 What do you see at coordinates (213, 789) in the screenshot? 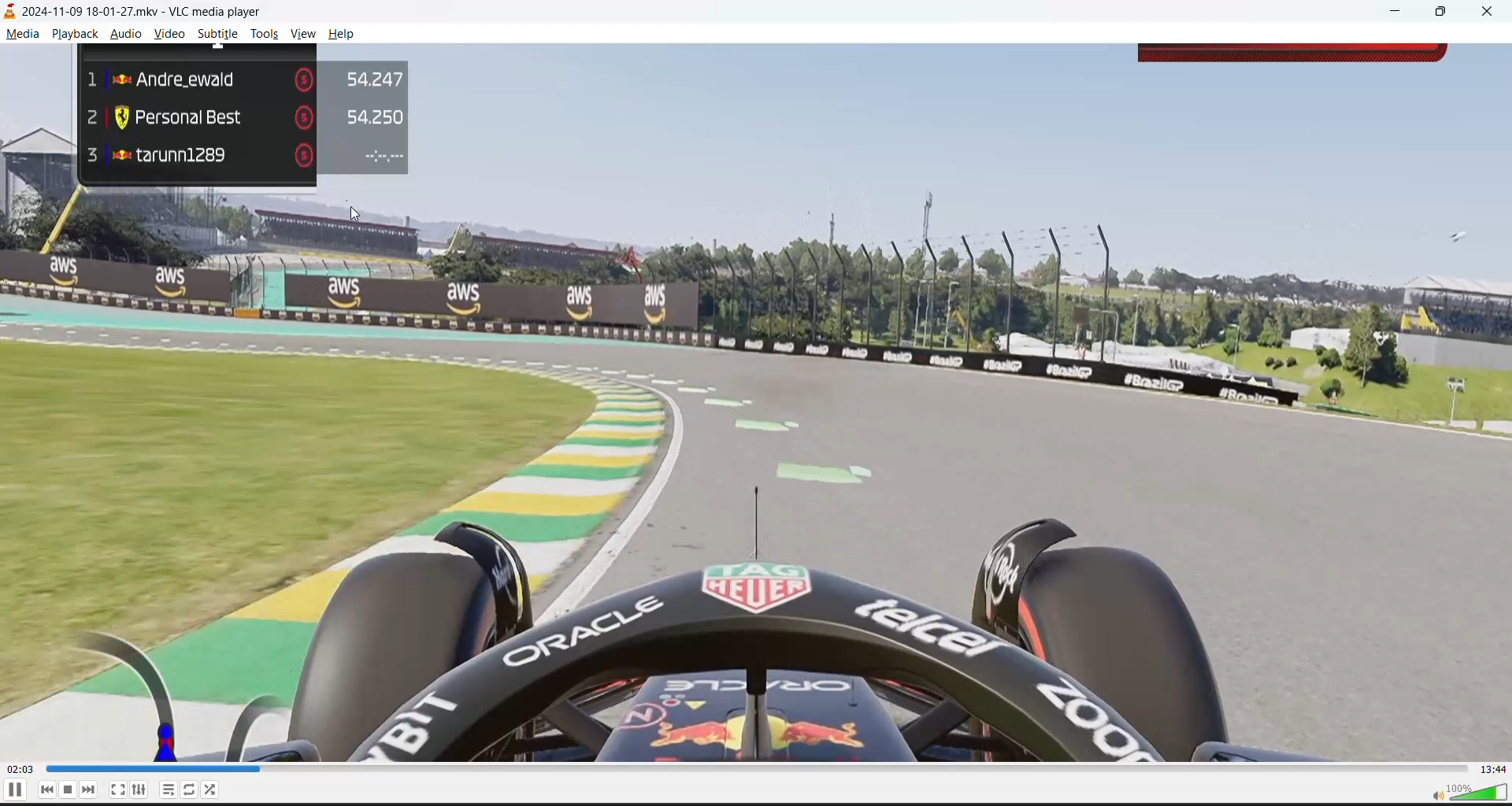
I see `random` at bounding box center [213, 789].